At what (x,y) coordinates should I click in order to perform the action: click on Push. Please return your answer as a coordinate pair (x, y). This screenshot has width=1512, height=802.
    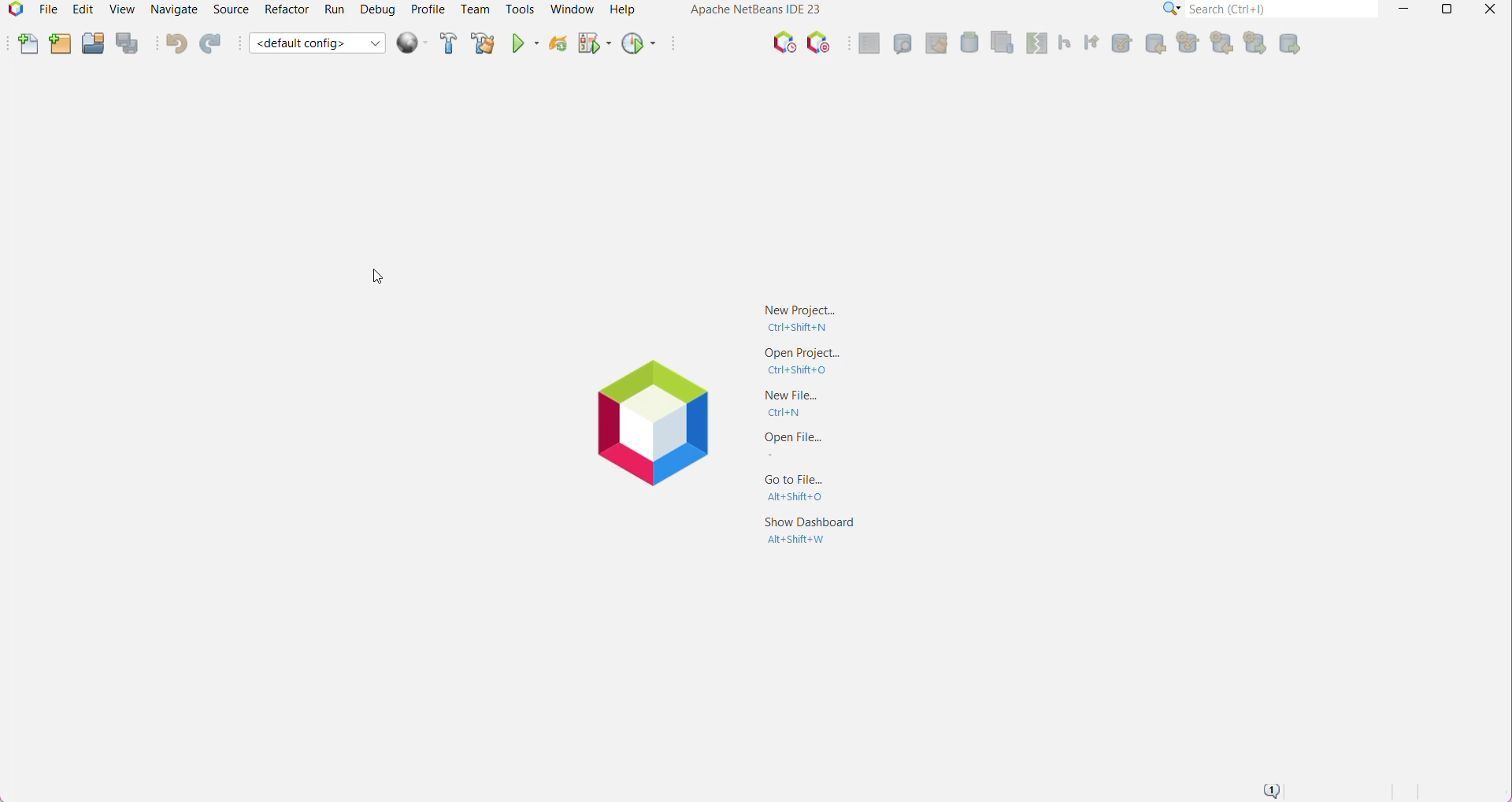
    Looking at the image, I should click on (1254, 43).